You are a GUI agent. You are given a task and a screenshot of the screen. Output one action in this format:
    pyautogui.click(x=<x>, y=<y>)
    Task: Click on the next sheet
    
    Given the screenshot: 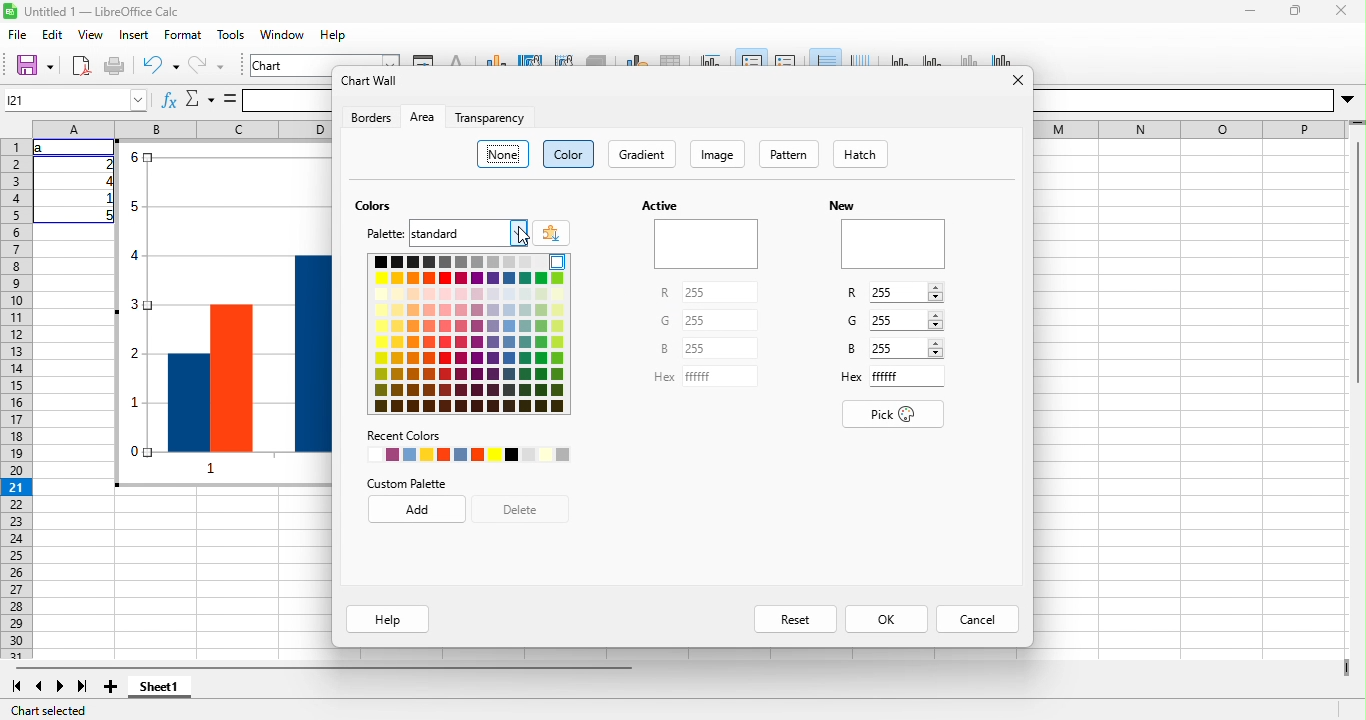 What is the action you would take?
    pyautogui.click(x=60, y=686)
    